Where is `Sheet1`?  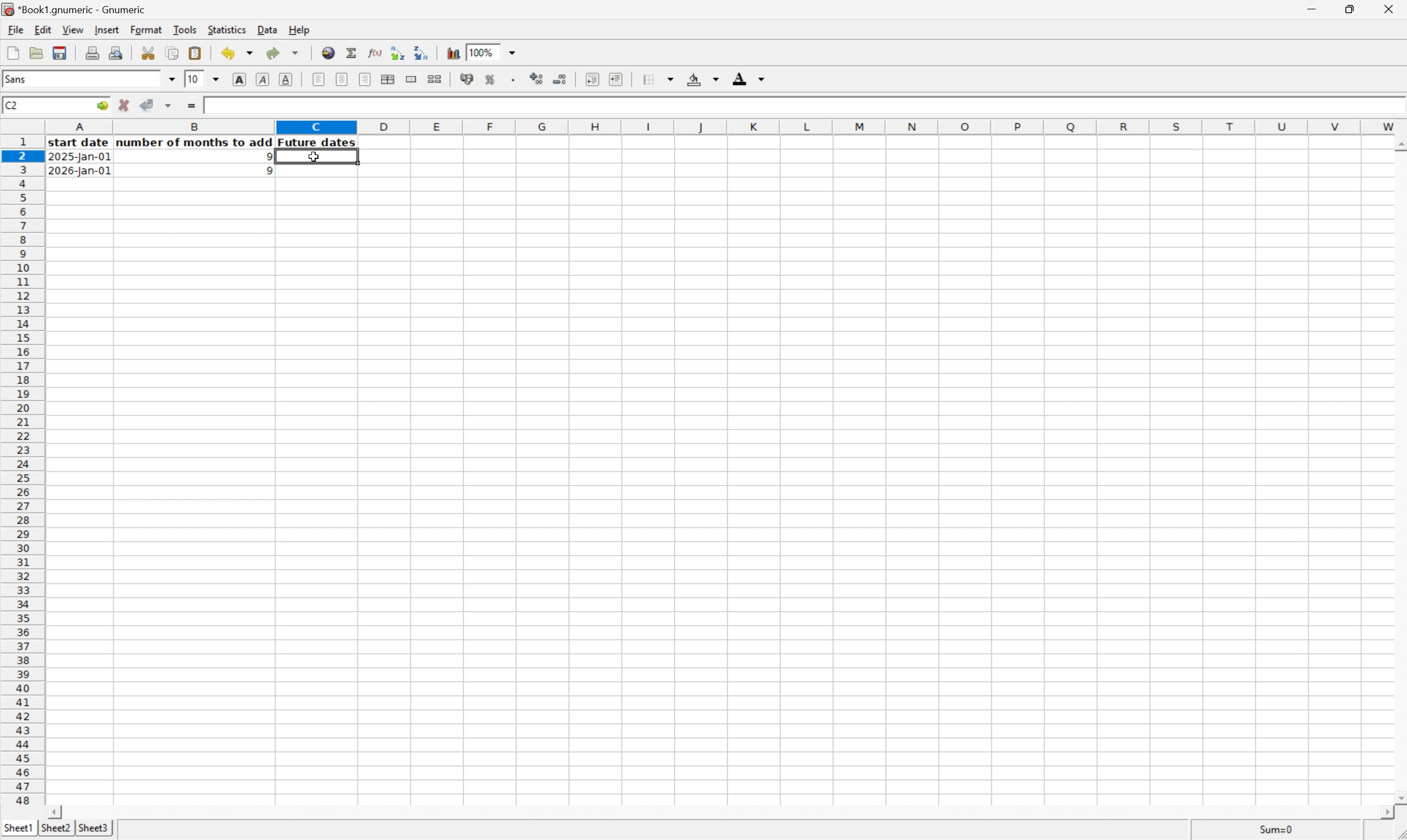 Sheet1 is located at coordinates (18, 828).